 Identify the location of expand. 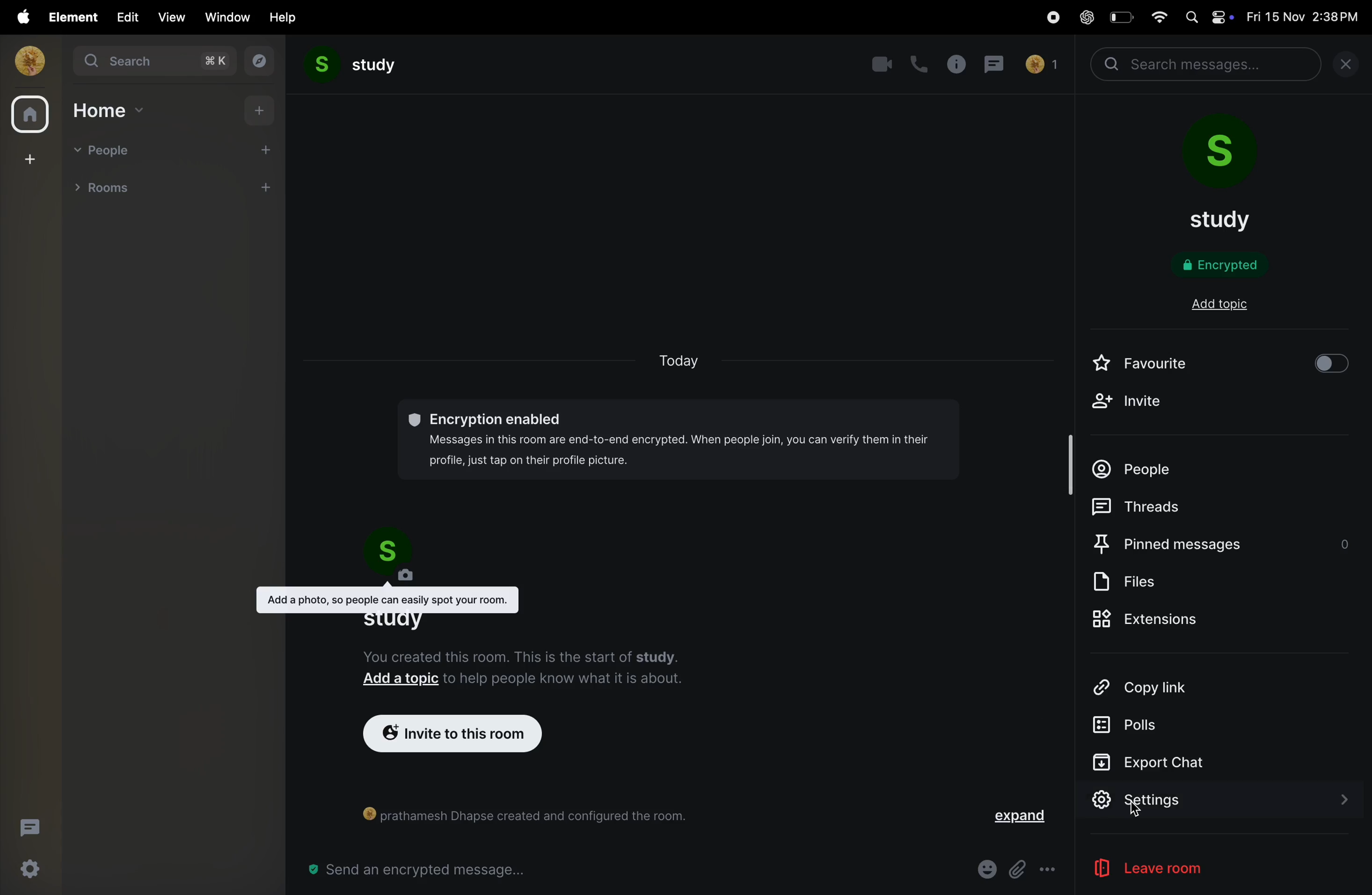
(1020, 819).